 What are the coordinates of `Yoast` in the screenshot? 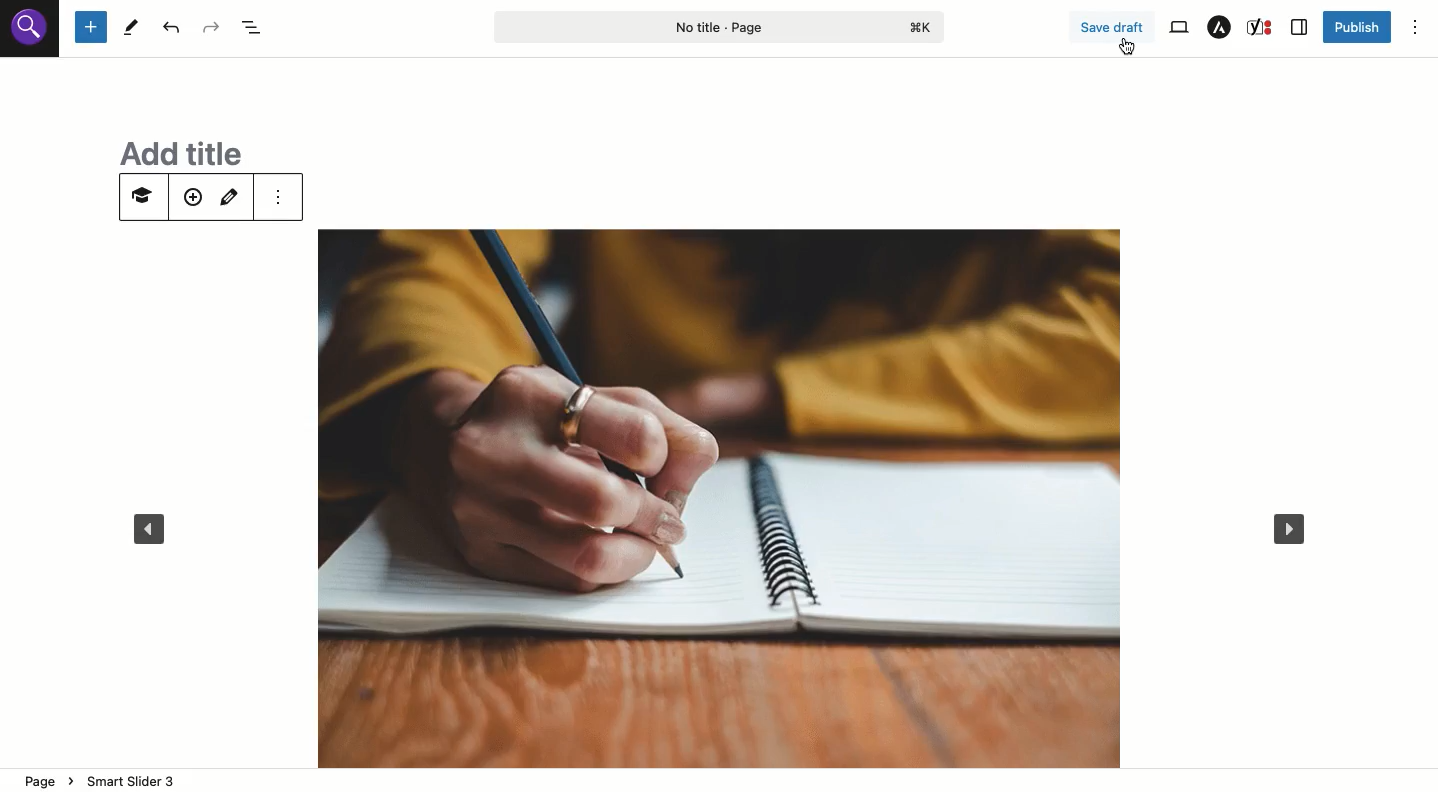 It's located at (1262, 27).